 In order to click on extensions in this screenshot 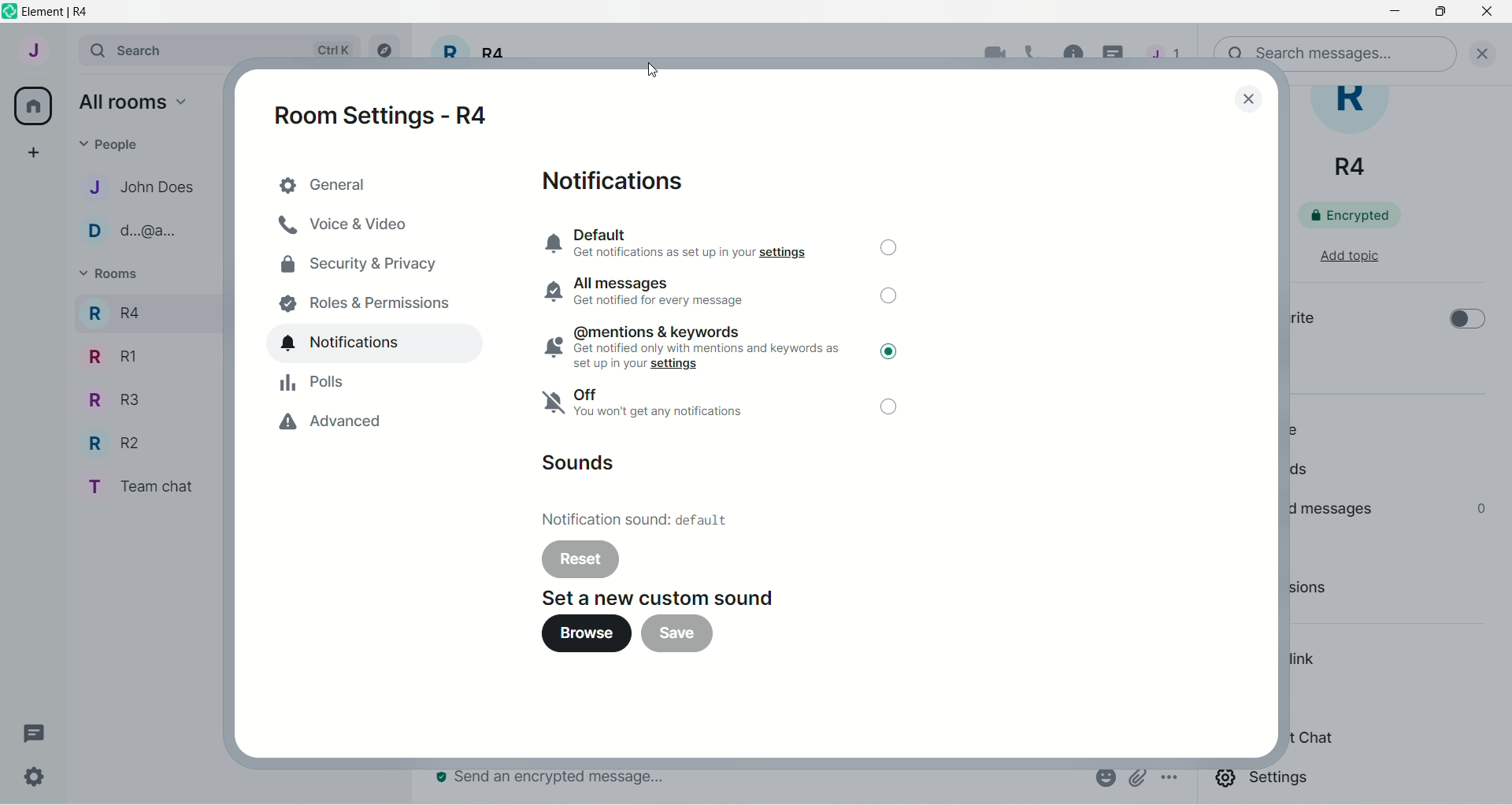, I will do `click(1333, 592)`.